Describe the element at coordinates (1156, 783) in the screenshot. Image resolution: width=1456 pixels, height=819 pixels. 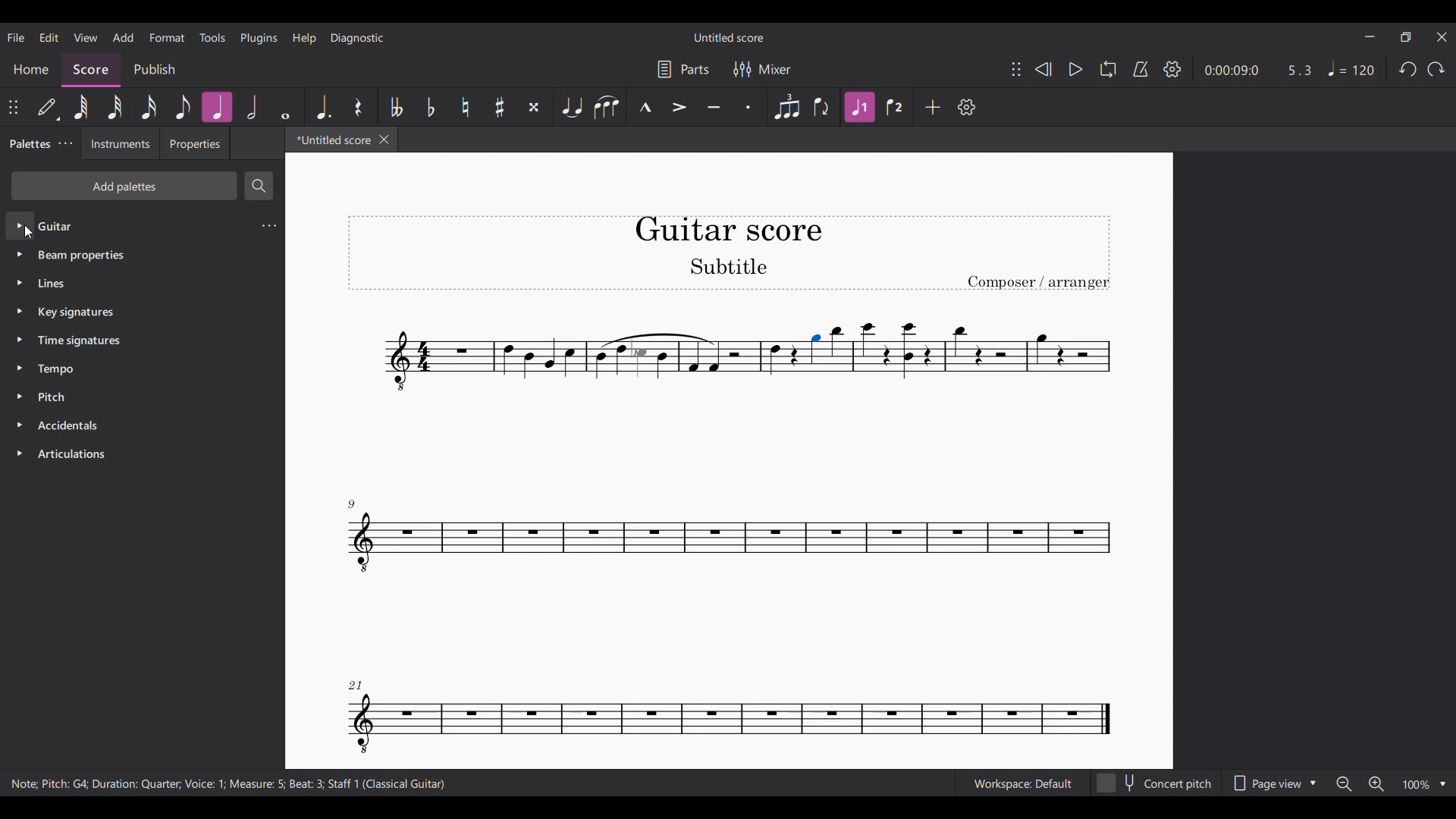
I see `Concert pitch toggle` at that location.